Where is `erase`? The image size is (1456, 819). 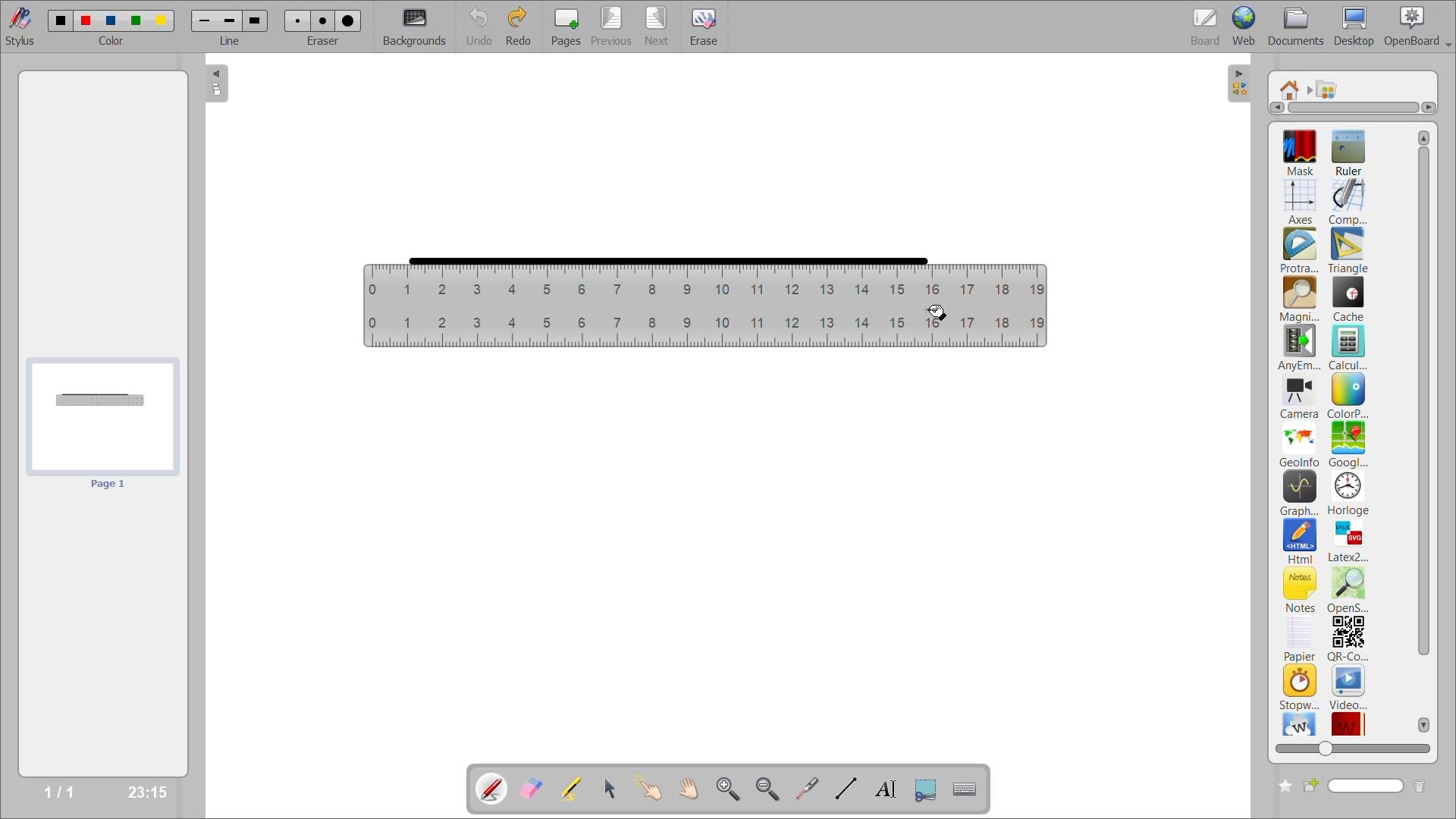 erase is located at coordinates (710, 27).